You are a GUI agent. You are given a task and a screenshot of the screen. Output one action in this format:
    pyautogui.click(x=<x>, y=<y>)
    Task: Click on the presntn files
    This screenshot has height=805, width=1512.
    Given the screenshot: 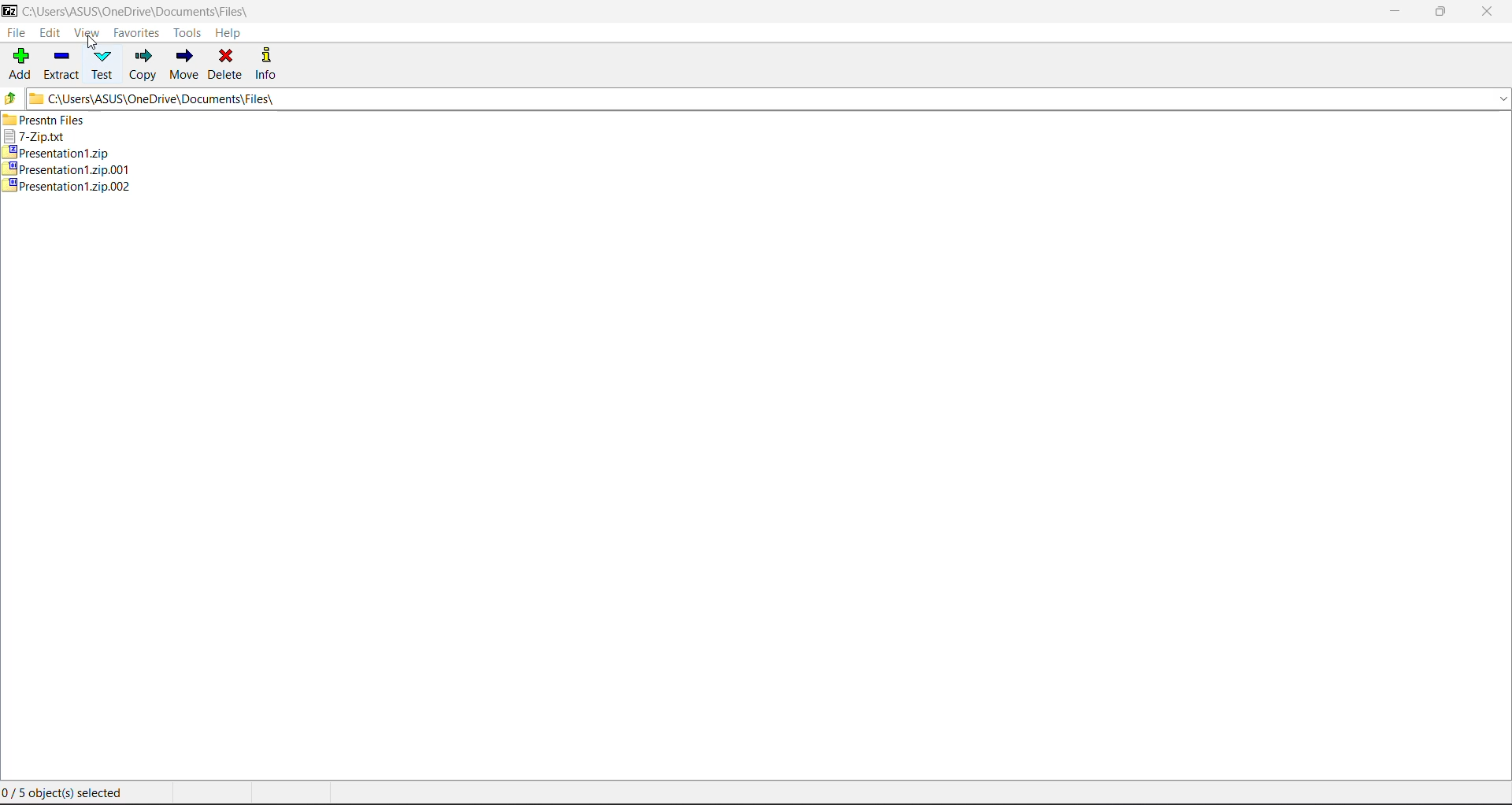 What is the action you would take?
    pyautogui.click(x=56, y=123)
    